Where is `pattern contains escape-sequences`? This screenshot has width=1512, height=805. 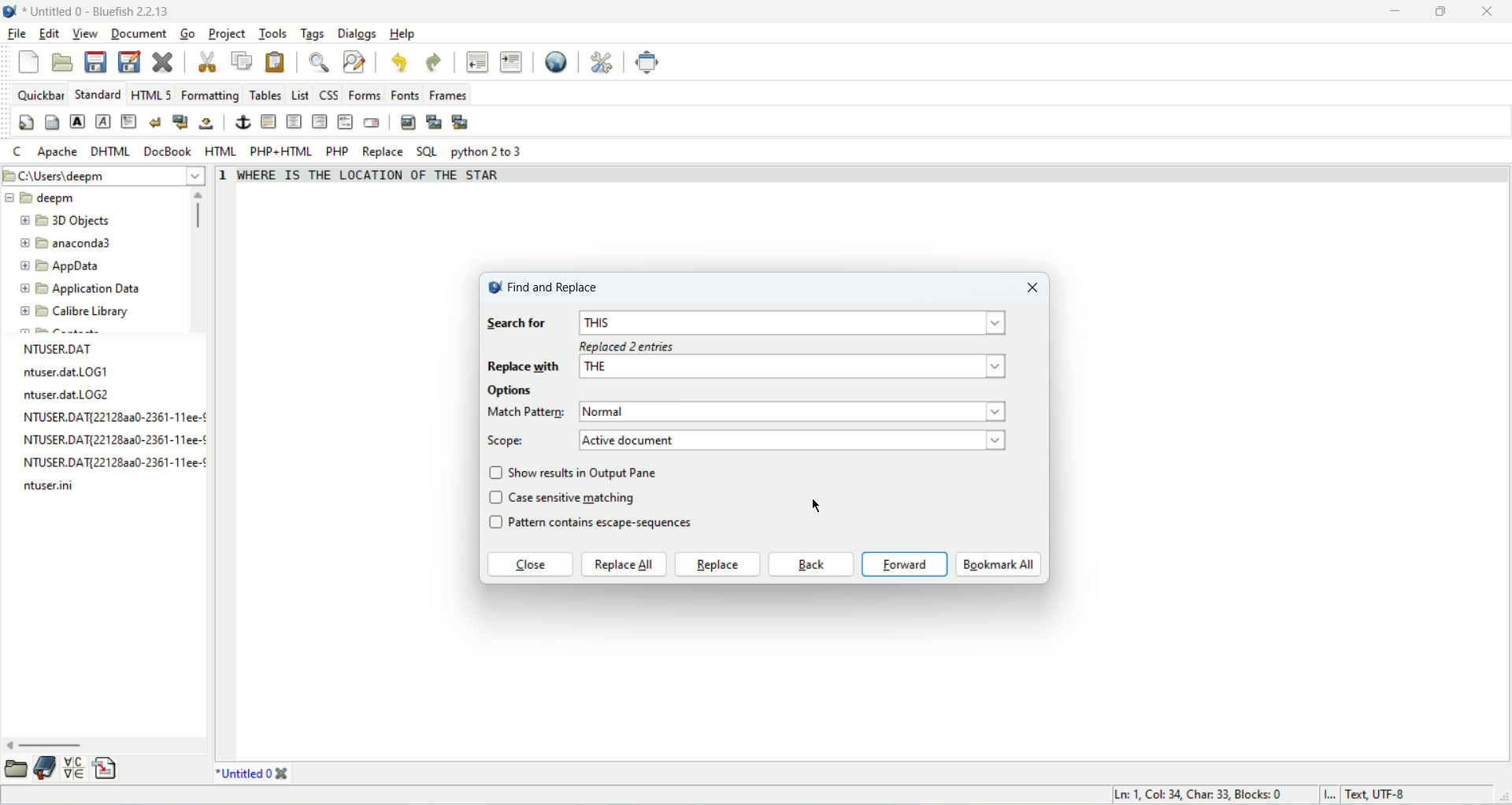
pattern contains escape-sequences is located at coordinates (612, 525).